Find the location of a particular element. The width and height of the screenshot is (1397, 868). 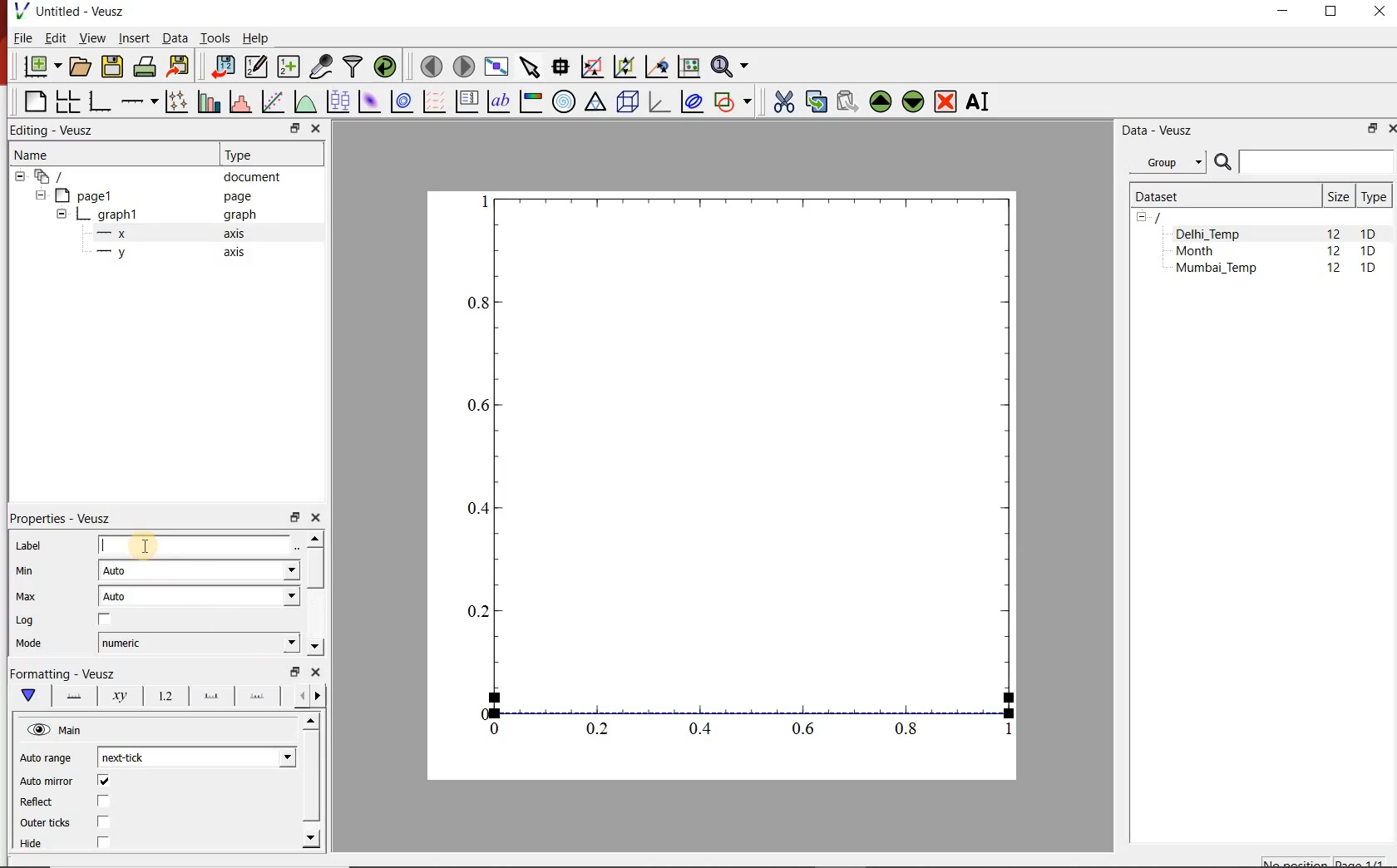

Auto range is located at coordinates (49, 757).